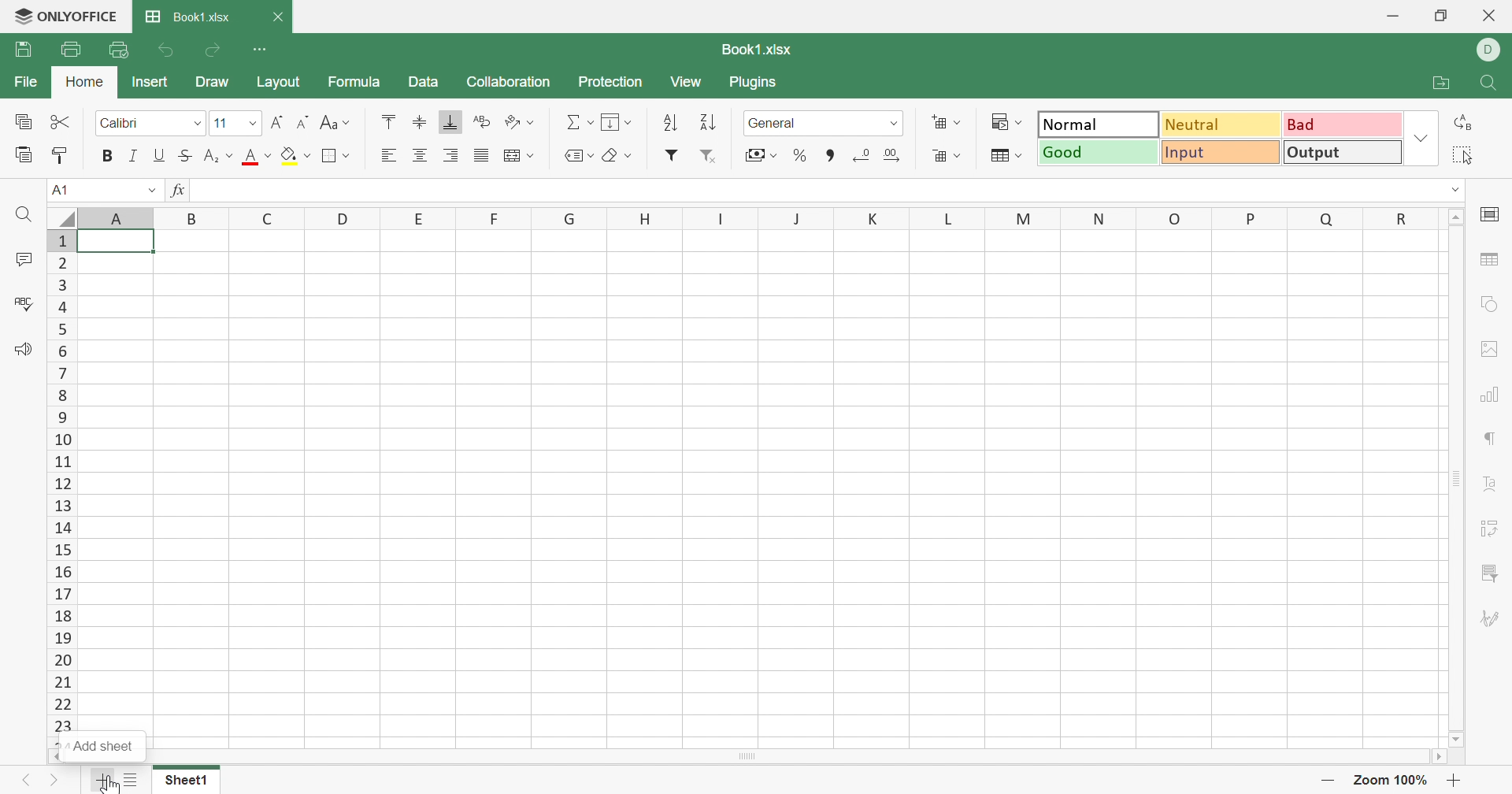 The image size is (1512, 794). Describe the element at coordinates (865, 217) in the screenshot. I see `K` at that location.